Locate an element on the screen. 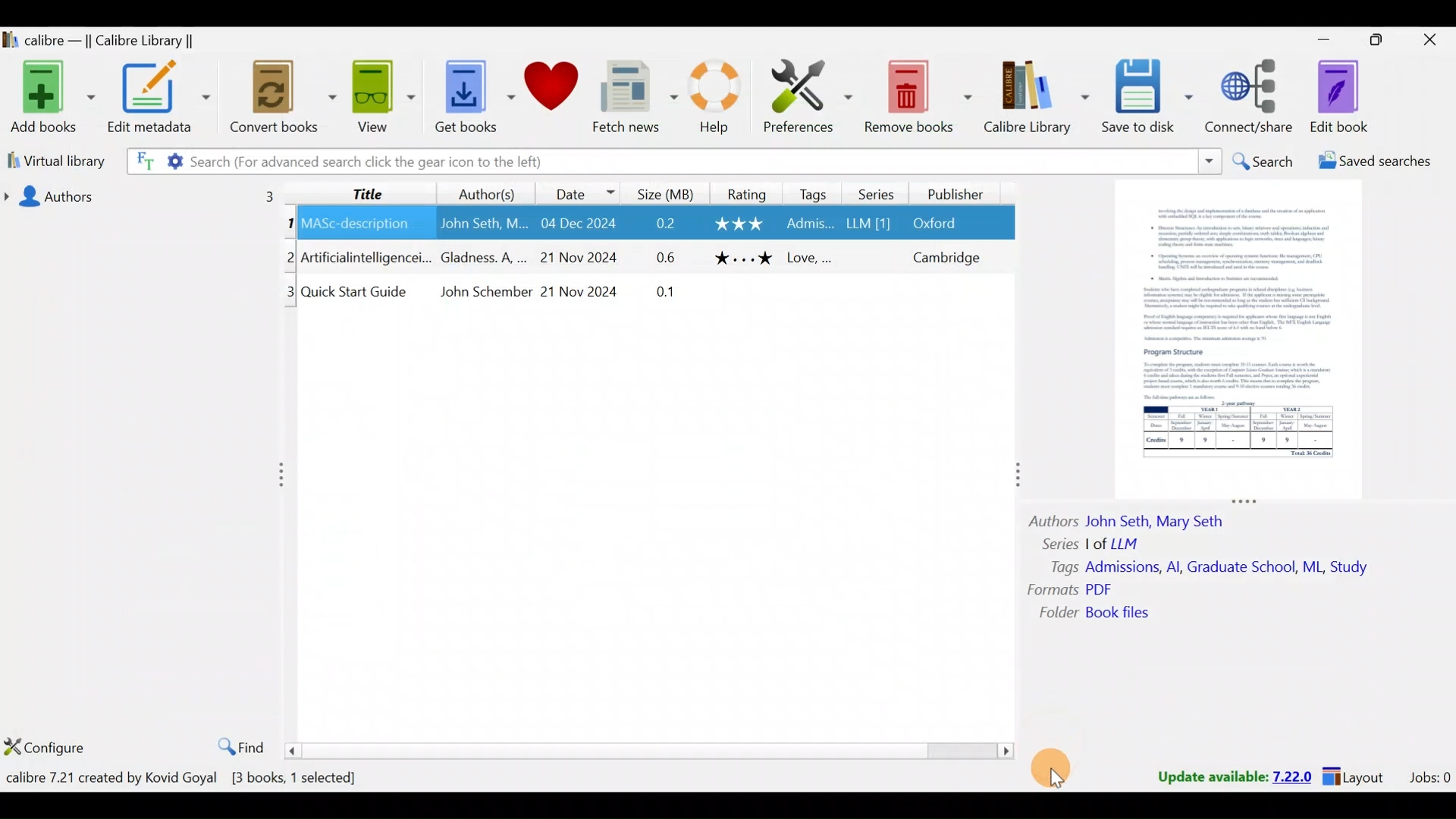 The image size is (1456, 819).  is located at coordinates (1056, 544).